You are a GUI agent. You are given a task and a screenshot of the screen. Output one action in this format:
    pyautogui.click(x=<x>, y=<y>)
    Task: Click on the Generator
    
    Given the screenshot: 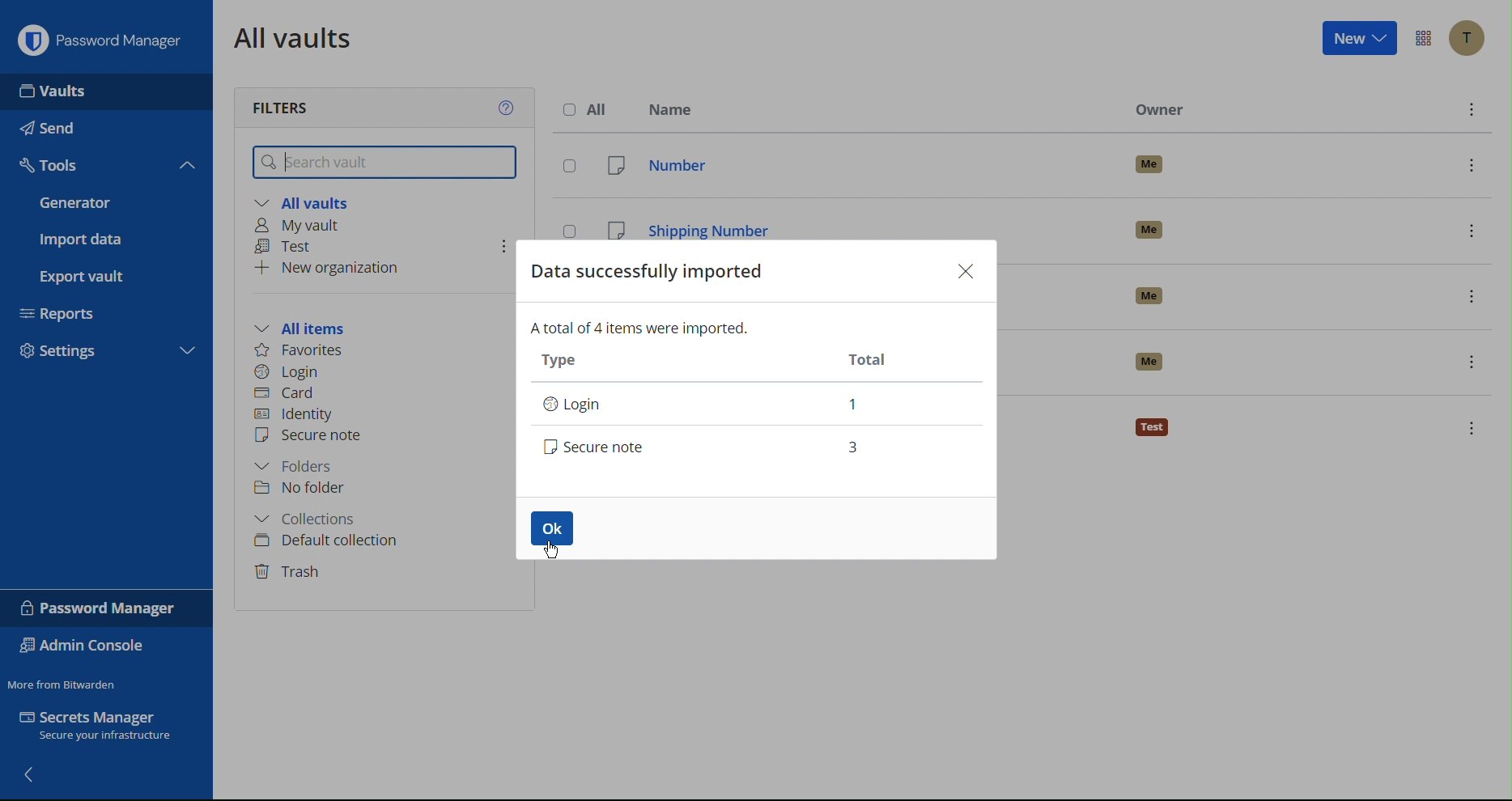 What is the action you would take?
    pyautogui.click(x=104, y=203)
    